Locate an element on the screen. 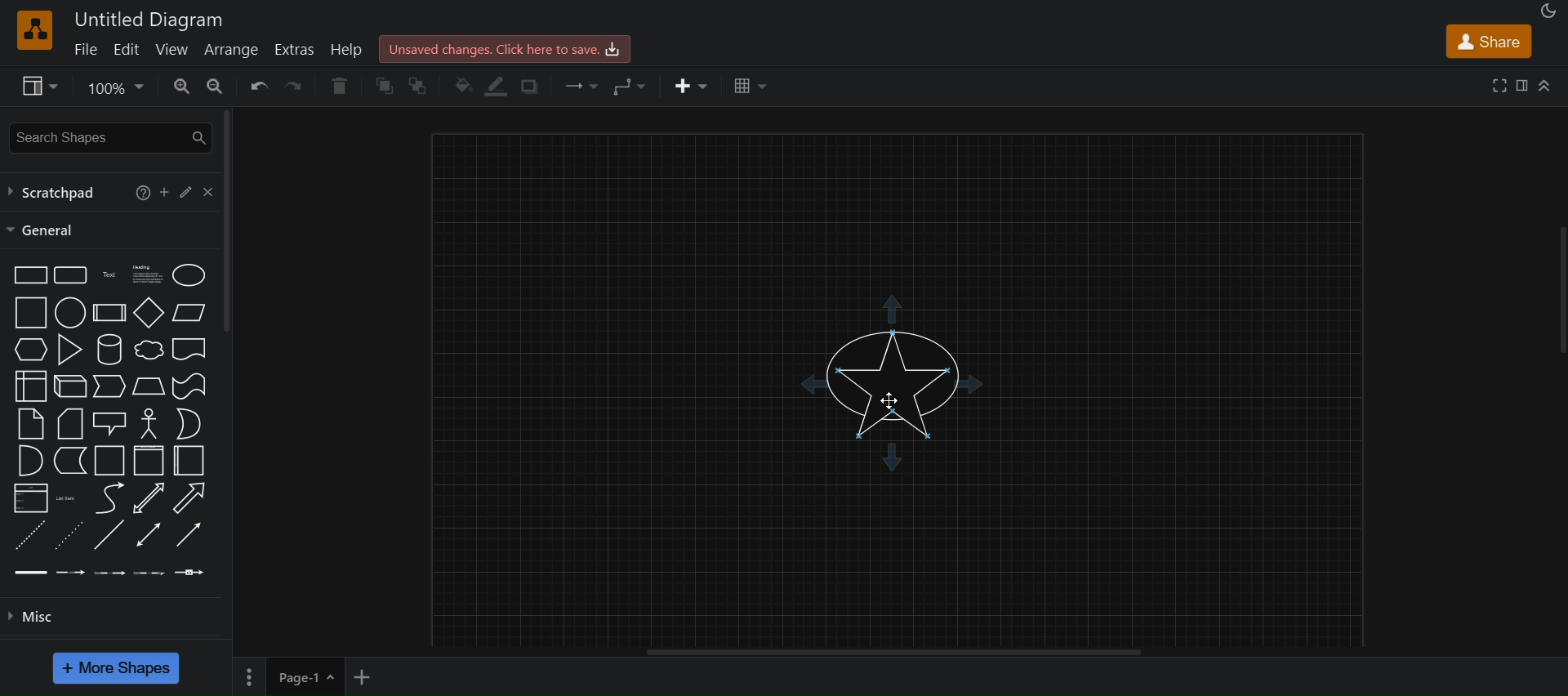  list item is located at coordinates (67, 498).